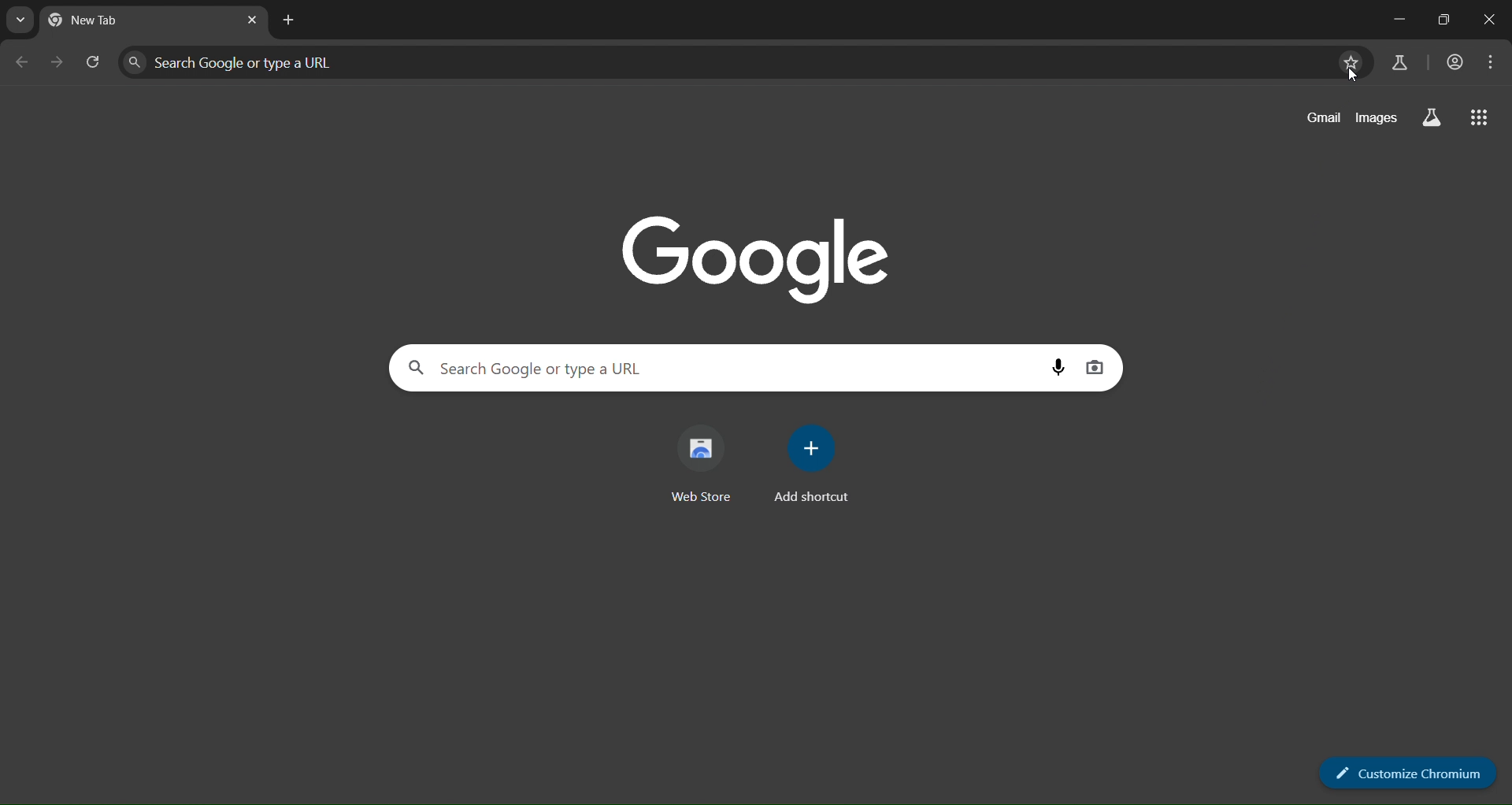  I want to click on close, so click(1488, 17).